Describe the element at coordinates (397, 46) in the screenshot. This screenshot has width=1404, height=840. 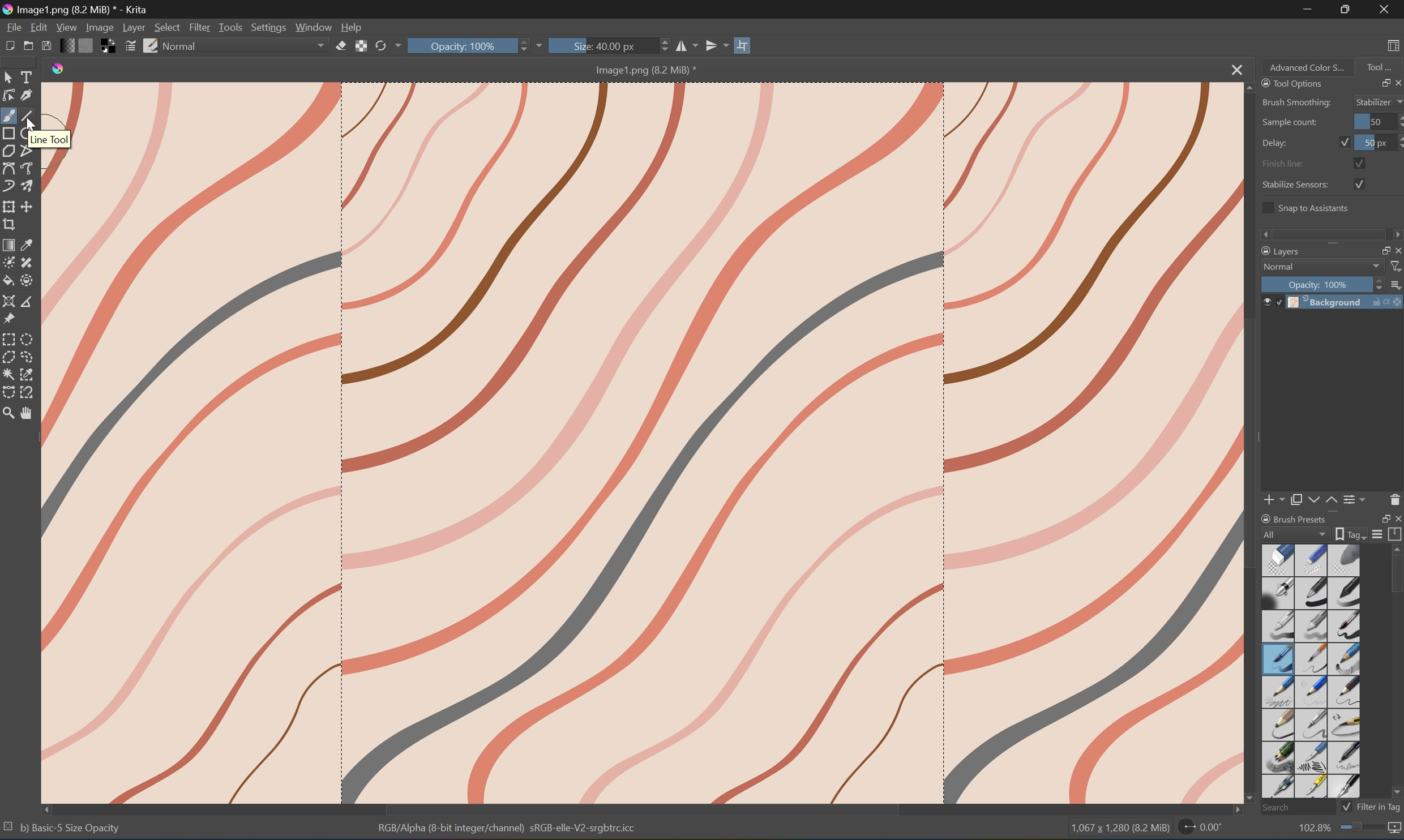
I see `Drop Down` at that location.